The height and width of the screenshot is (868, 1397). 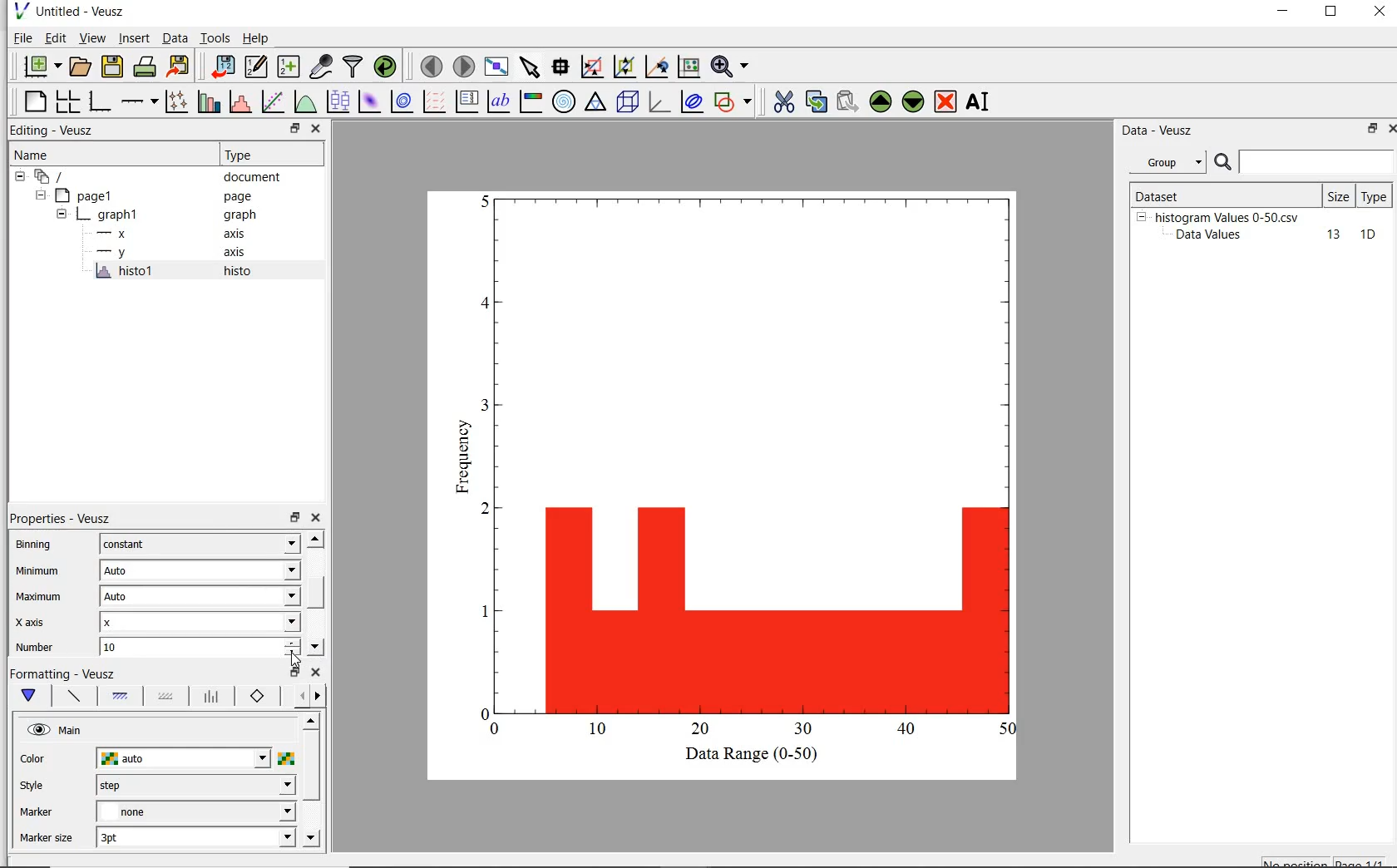 I want to click on click to zoom out on graph axes, so click(x=656, y=67).